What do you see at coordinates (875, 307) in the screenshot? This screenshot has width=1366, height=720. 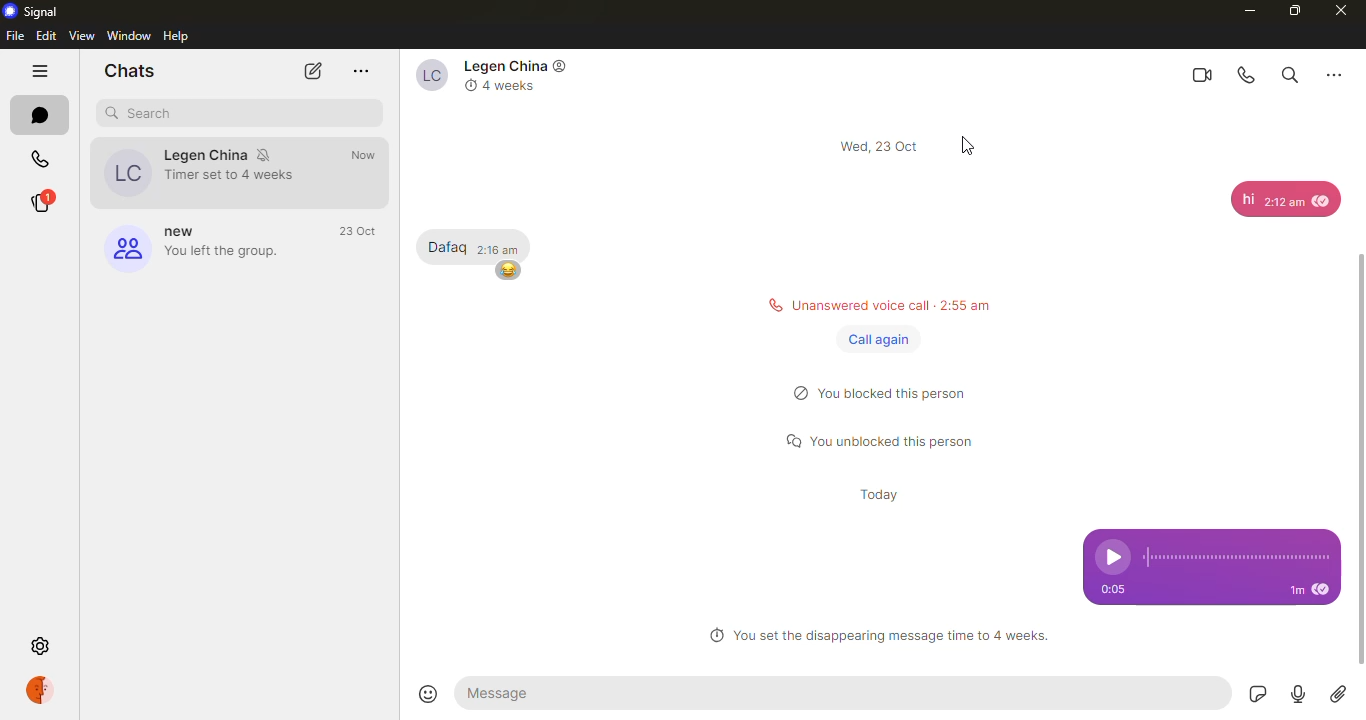 I see `status message` at bounding box center [875, 307].